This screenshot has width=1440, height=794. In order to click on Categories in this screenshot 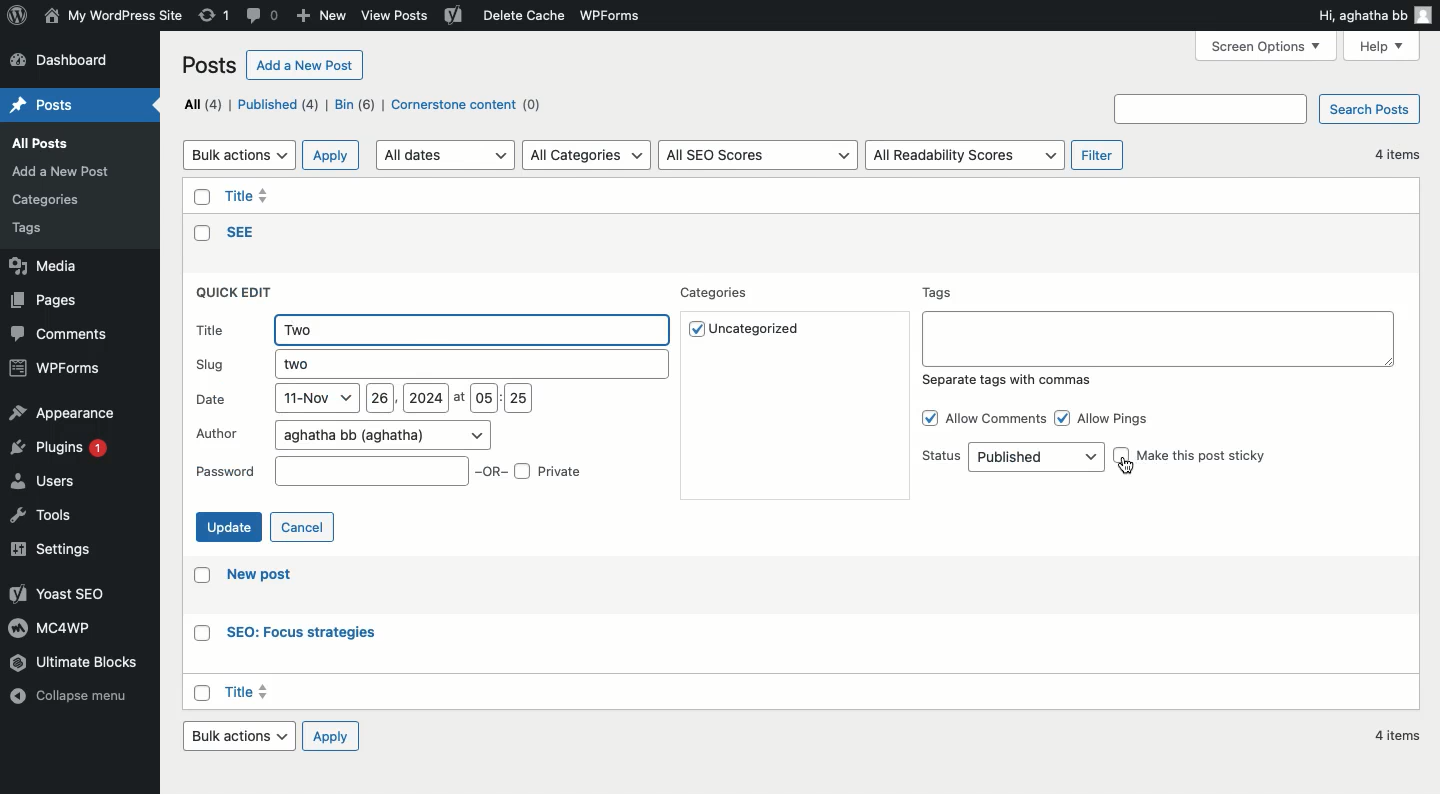, I will do `click(719, 294)`.